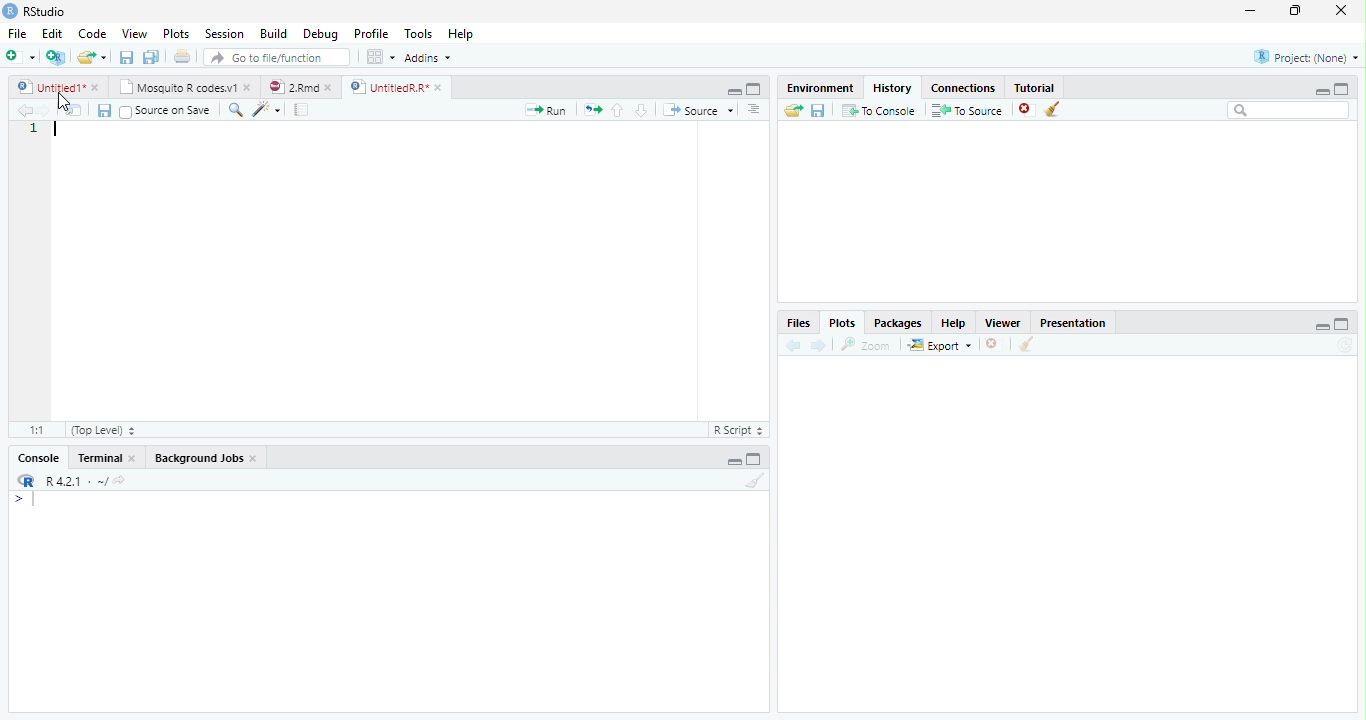 Image resolution: width=1366 pixels, height=720 pixels. What do you see at coordinates (940, 345) in the screenshot?
I see `Export` at bounding box center [940, 345].